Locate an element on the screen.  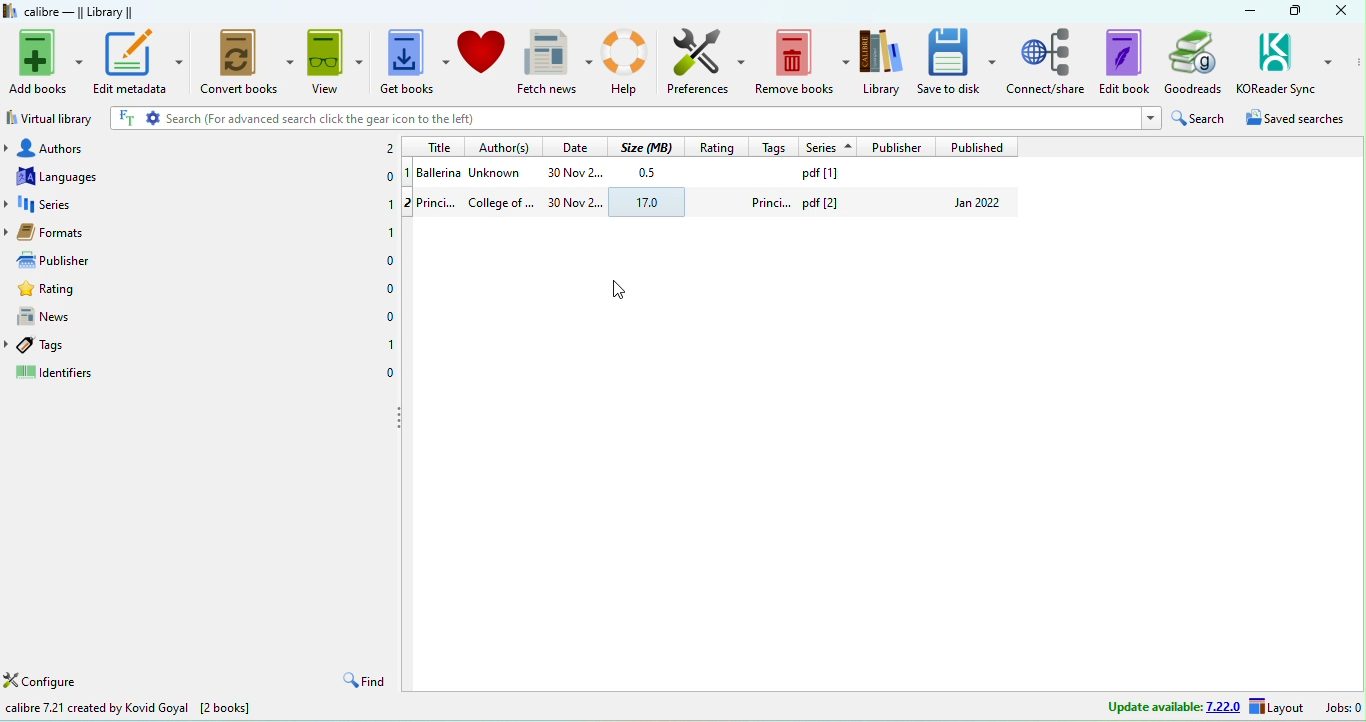
Preferences is located at coordinates (707, 61).